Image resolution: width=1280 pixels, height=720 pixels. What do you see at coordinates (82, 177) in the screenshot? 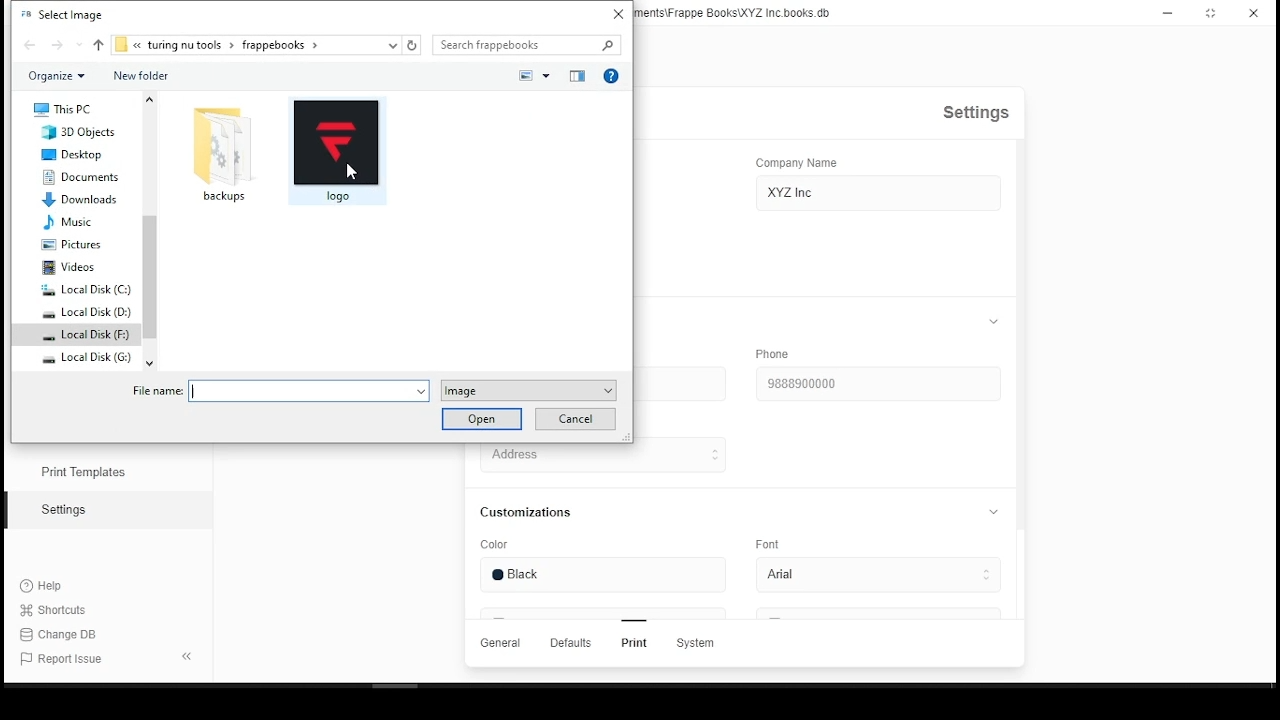
I see `documents` at bounding box center [82, 177].